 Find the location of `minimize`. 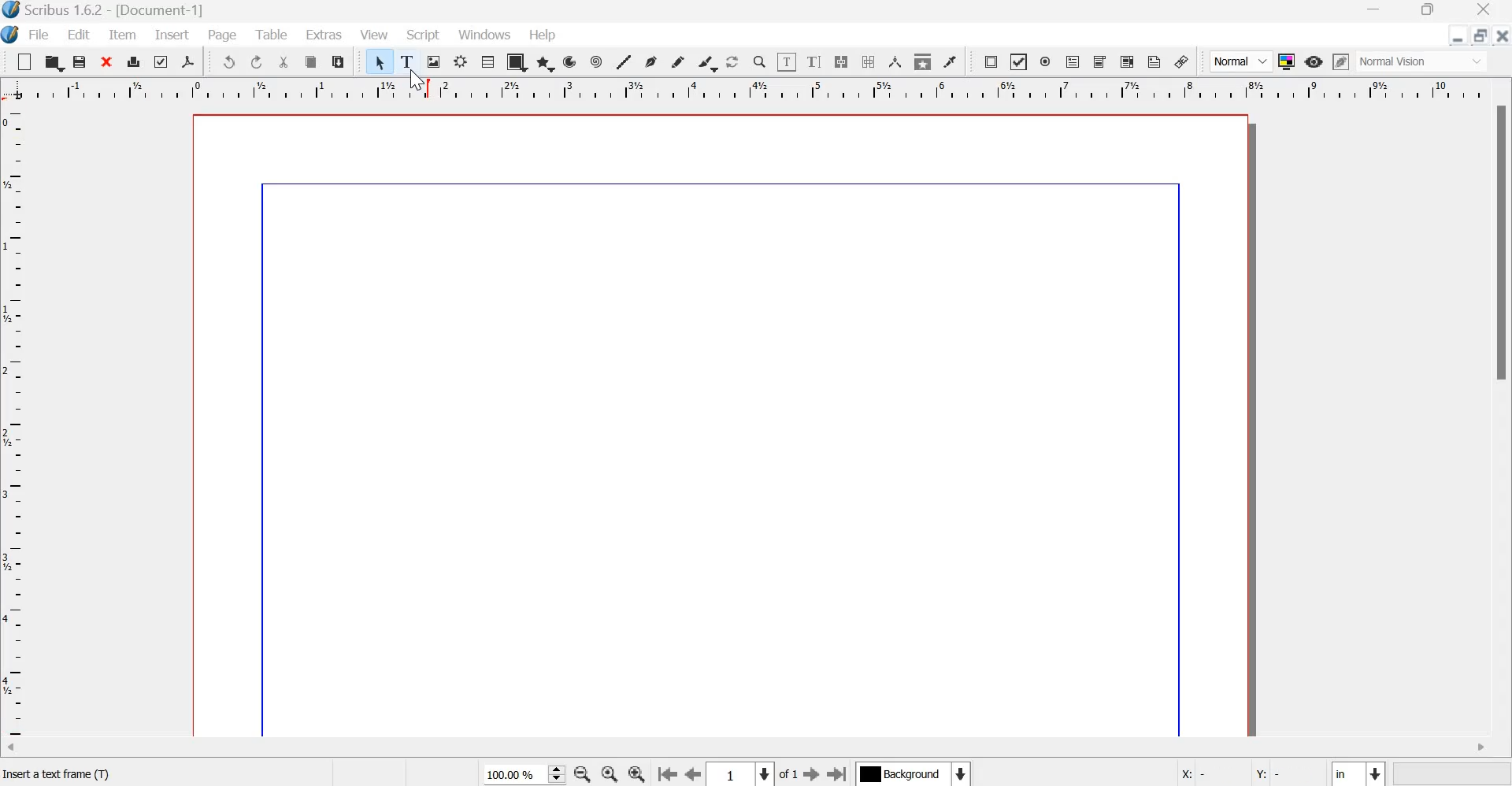

minimize is located at coordinates (1458, 35).